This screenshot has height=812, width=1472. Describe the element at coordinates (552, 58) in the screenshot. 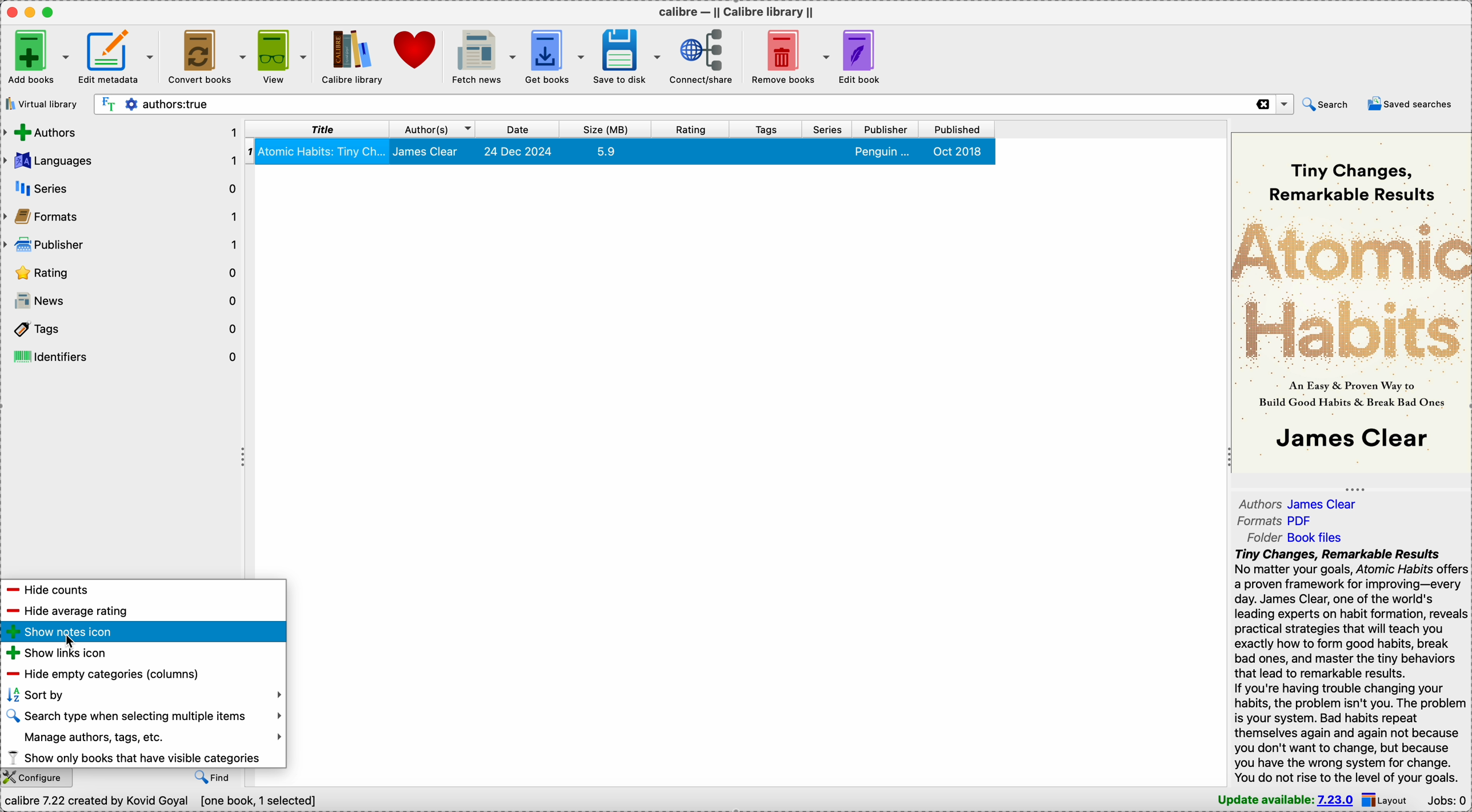

I see `get books` at that location.